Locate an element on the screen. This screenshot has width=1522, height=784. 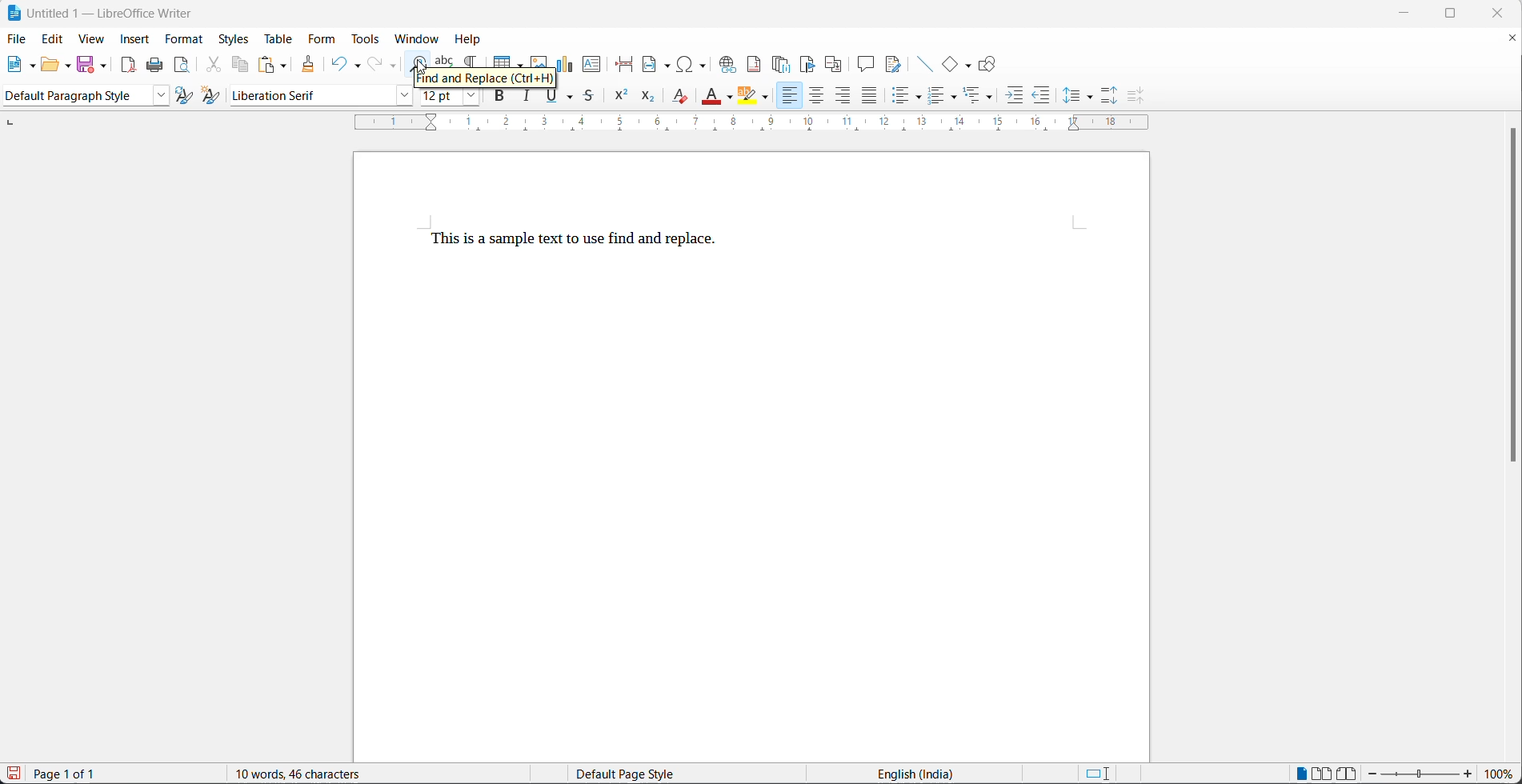
single page view is located at coordinates (1302, 772).